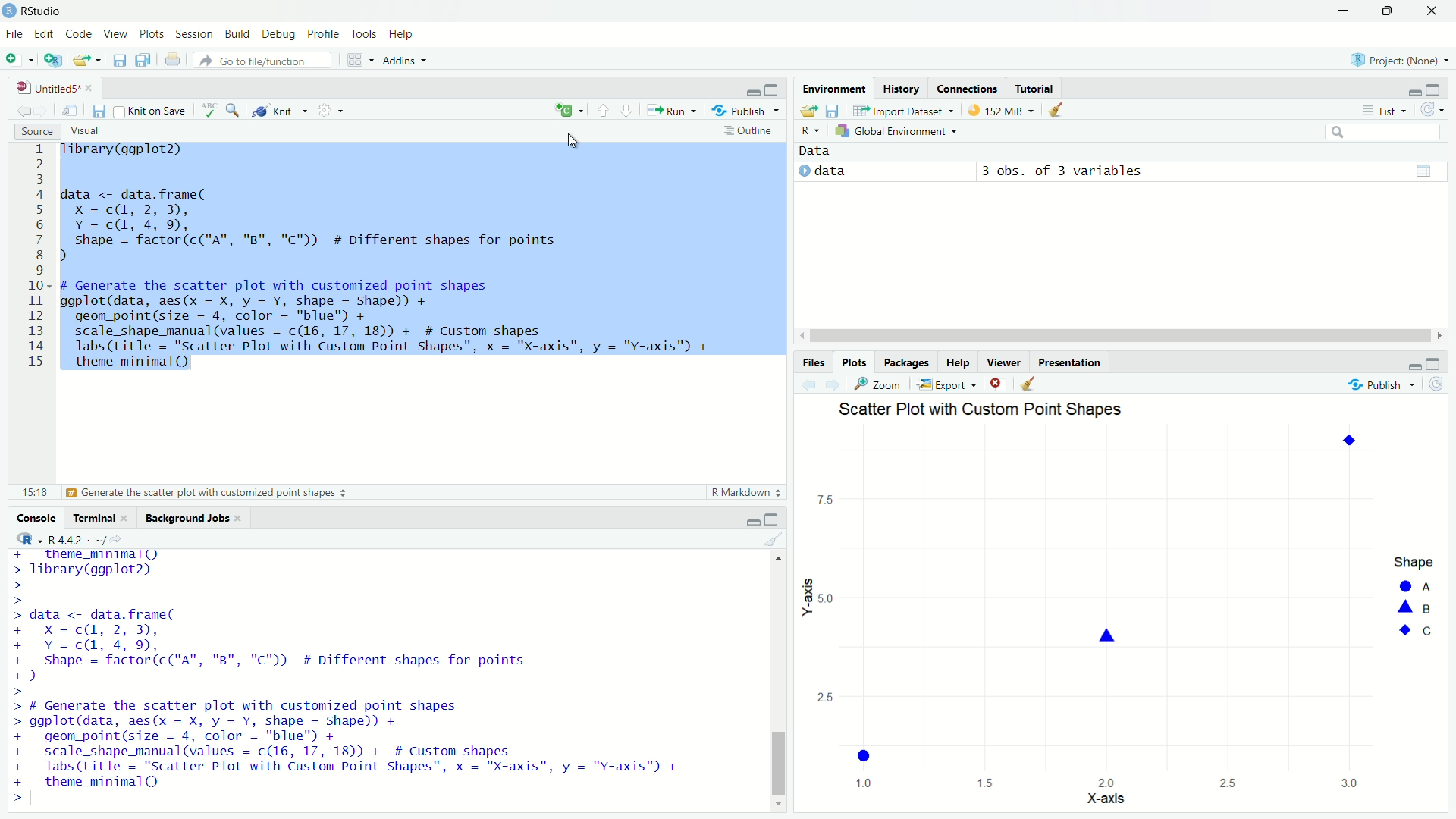 Image resolution: width=1456 pixels, height=819 pixels. I want to click on Console, so click(36, 518).